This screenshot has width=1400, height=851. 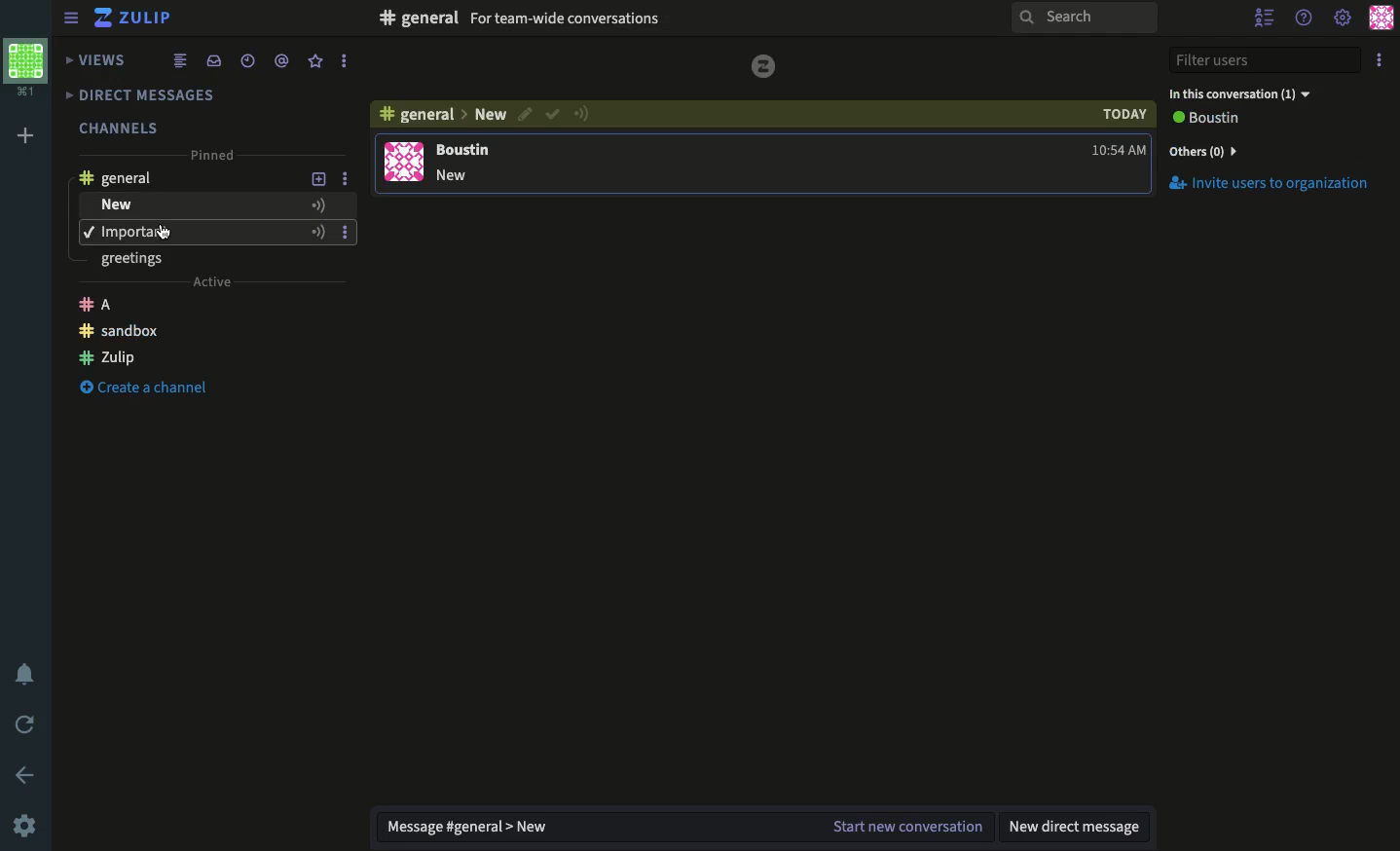 I want to click on Active, so click(x=212, y=284).